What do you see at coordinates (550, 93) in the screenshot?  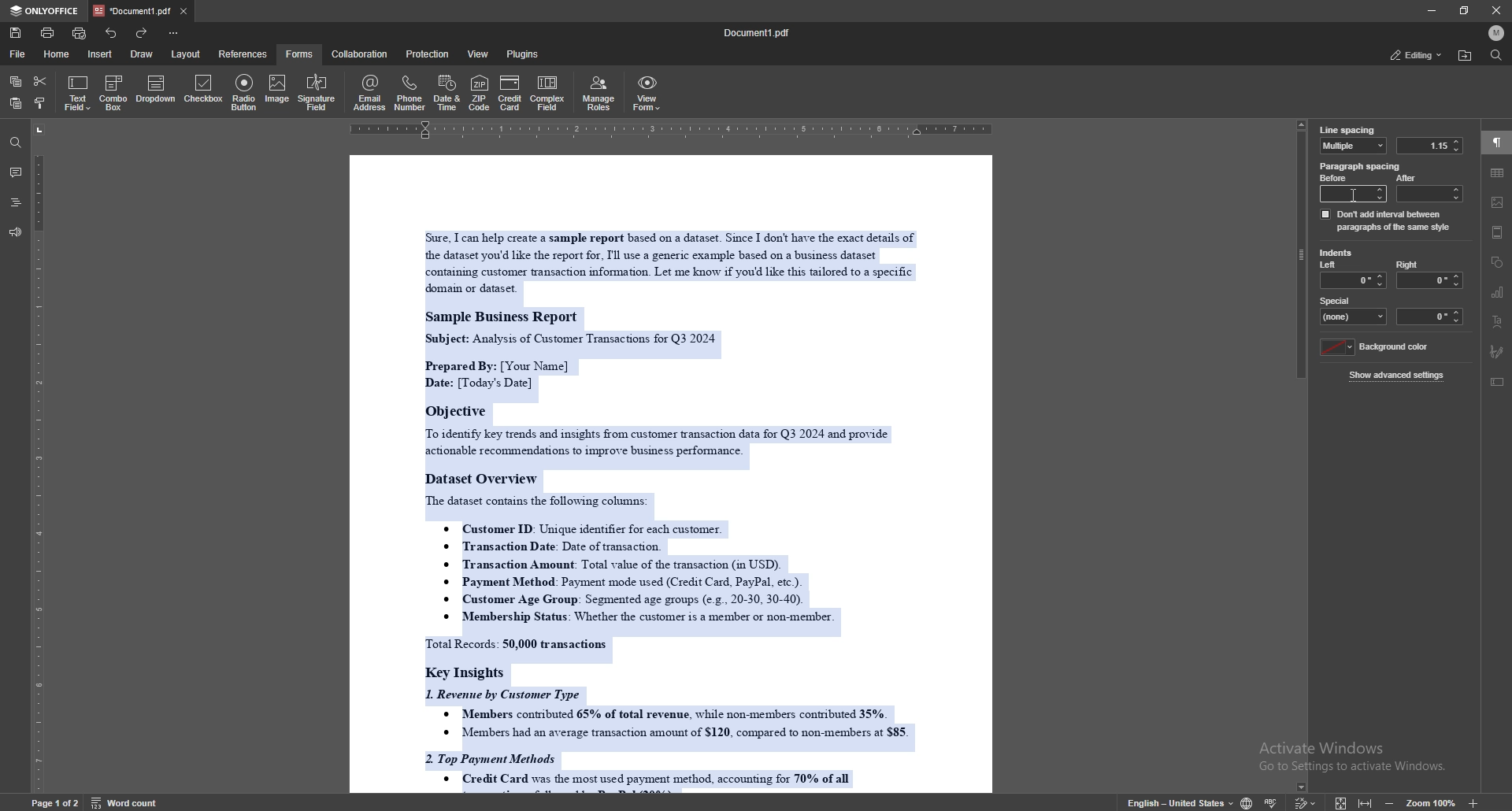 I see `complex field` at bounding box center [550, 93].